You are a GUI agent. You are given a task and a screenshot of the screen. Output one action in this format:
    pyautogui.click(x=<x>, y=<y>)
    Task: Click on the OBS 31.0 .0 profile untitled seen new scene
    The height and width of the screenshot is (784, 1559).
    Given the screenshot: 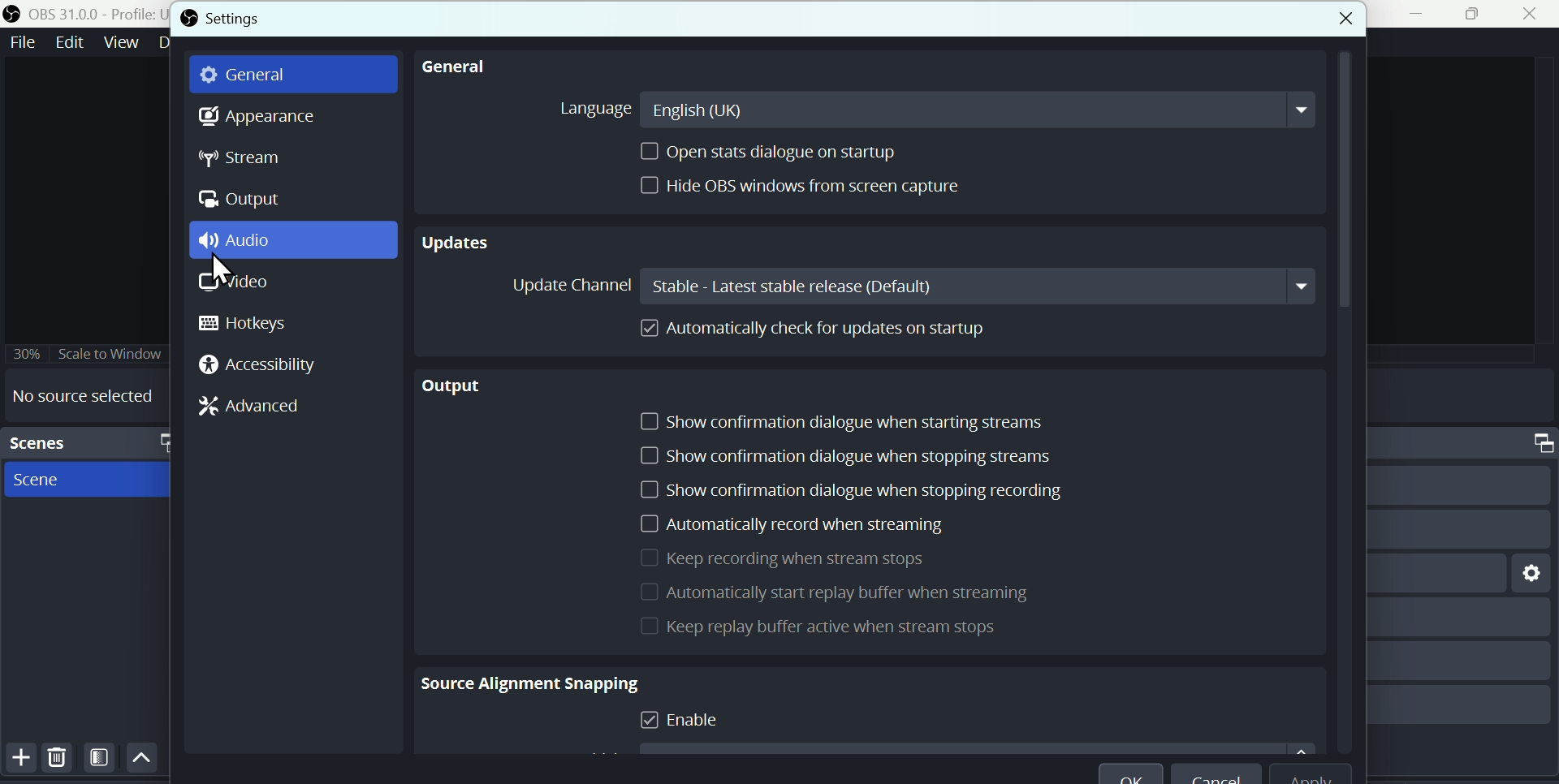 What is the action you would take?
    pyautogui.click(x=96, y=13)
    